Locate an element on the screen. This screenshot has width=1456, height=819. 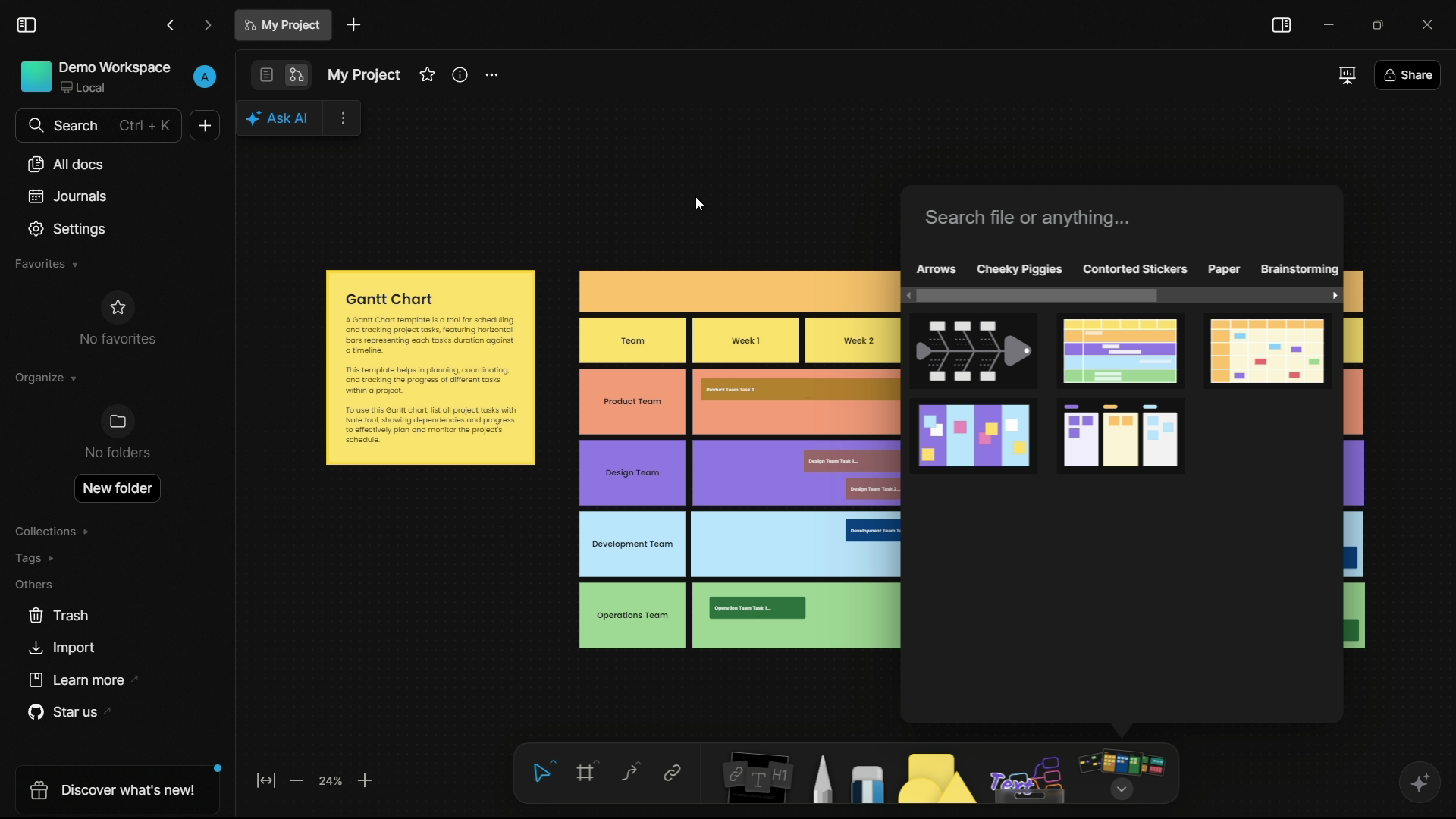
Paper is located at coordinates (1225, 270).